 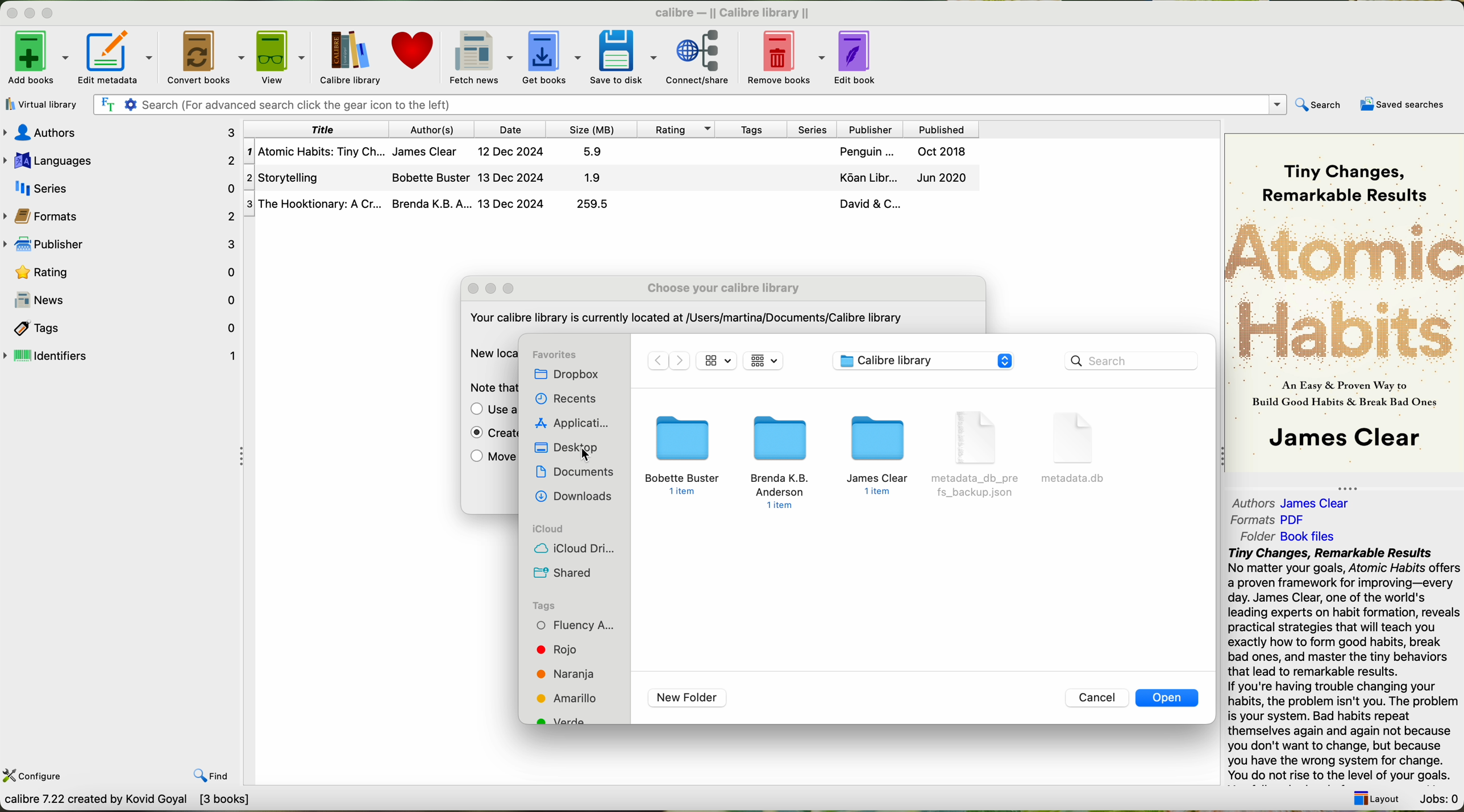 What do you see at coordinates (509, 289) in the screenshot?
I see `maximize` at bounding box center [509, 289].